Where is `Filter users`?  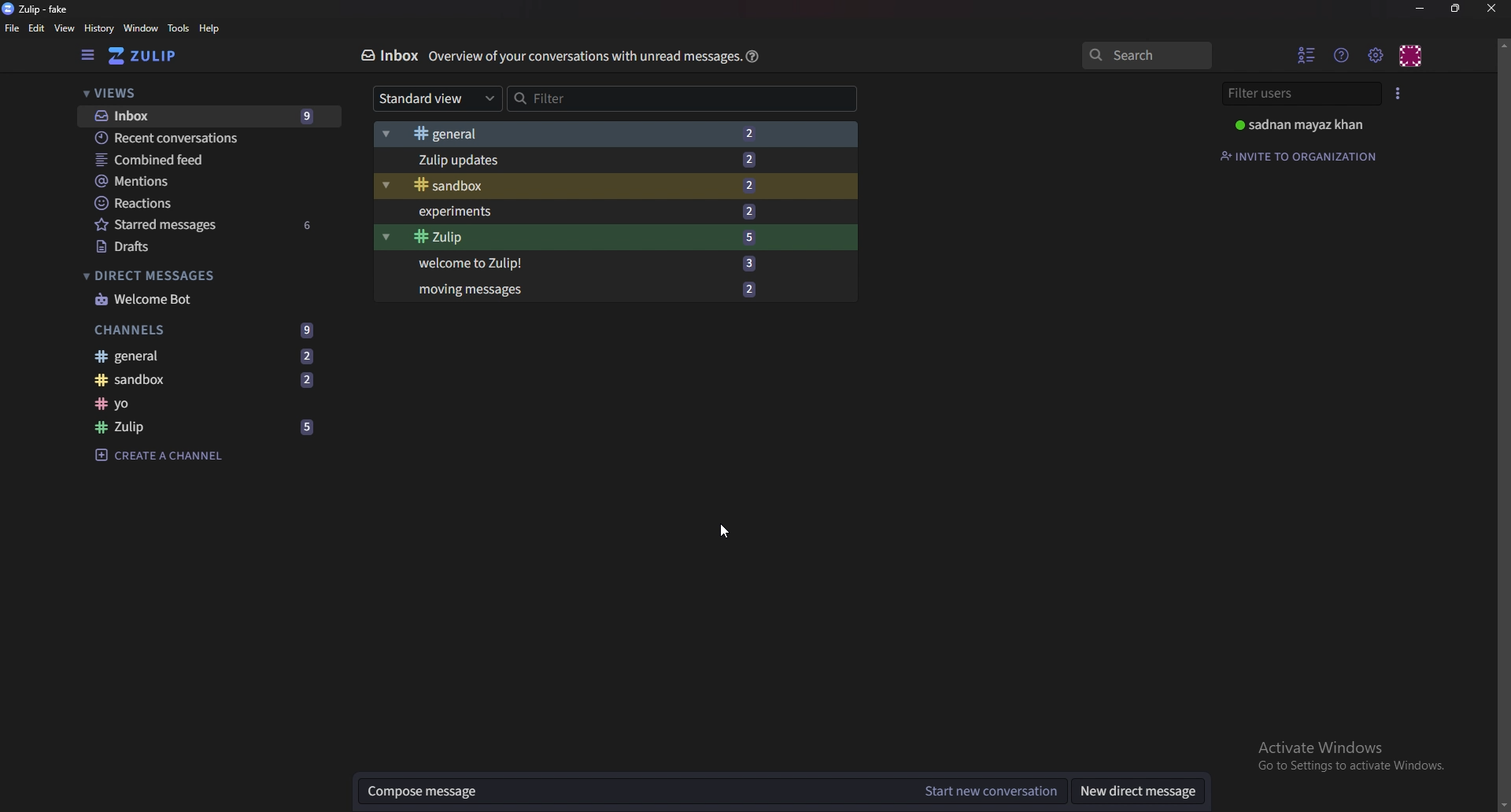 Filter users is located at coordinates (1295, 94).